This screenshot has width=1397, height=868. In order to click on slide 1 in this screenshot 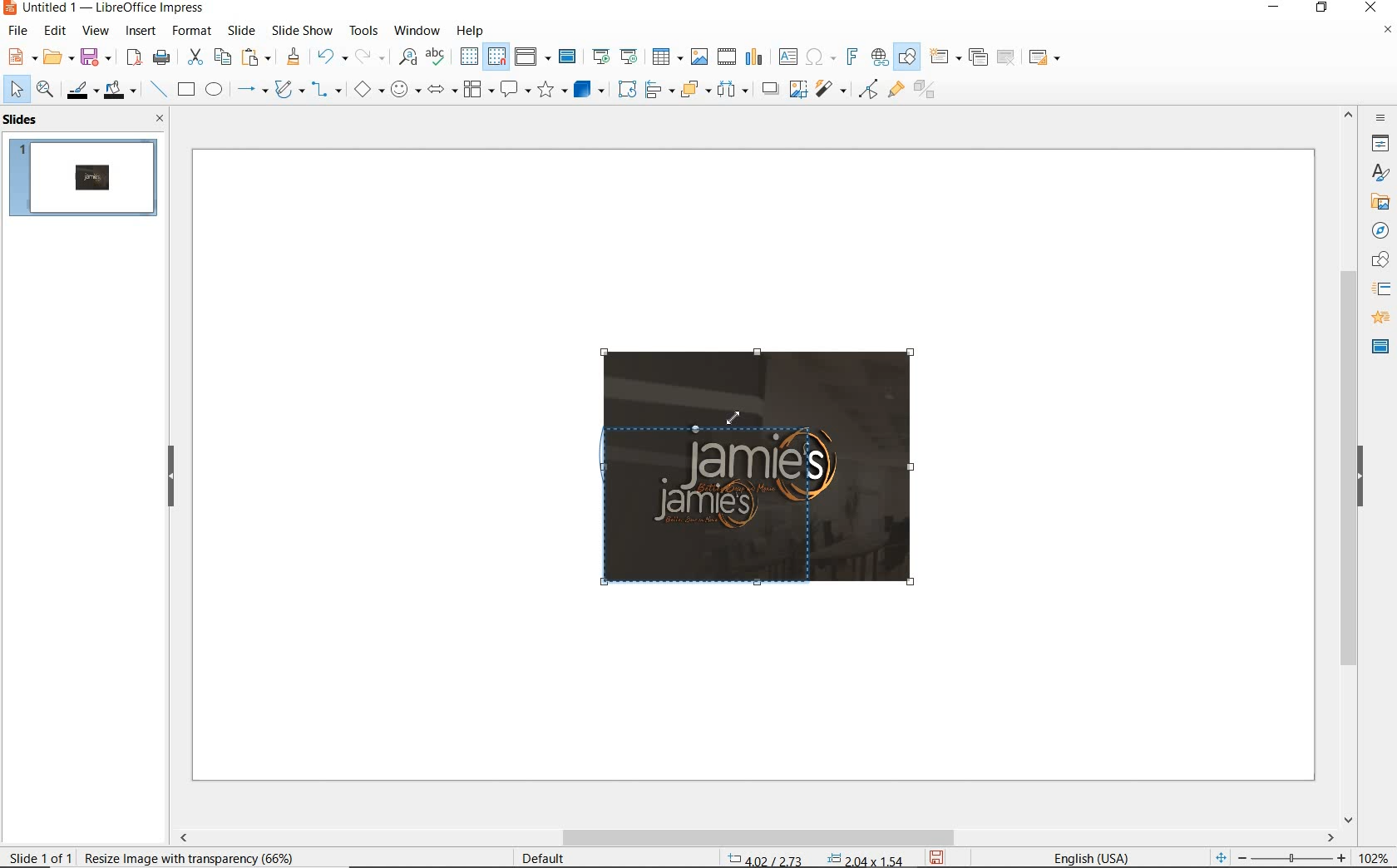, I will do `click(86, 180)`.